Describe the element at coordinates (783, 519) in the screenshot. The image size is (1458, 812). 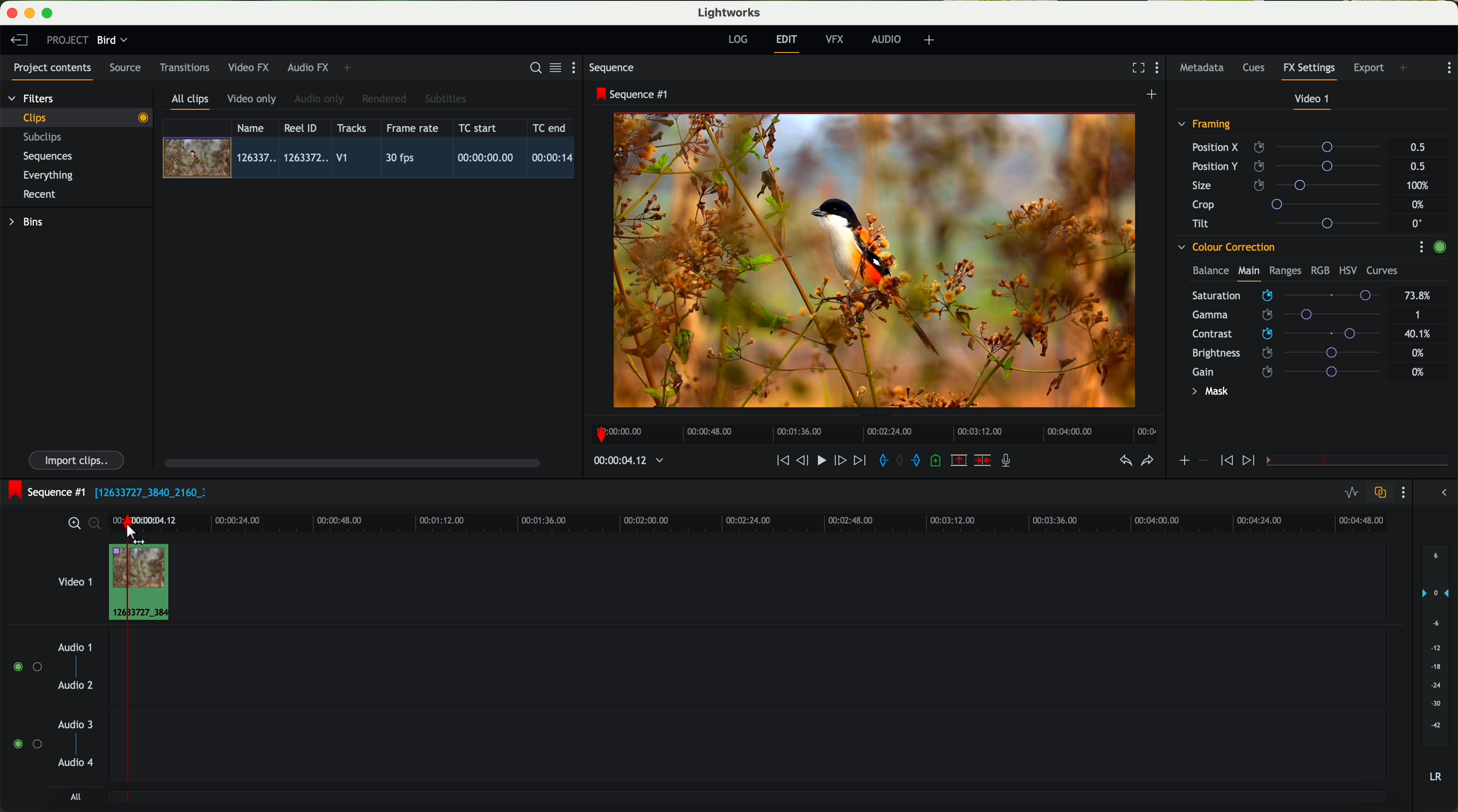
I see `timeline` at that location.